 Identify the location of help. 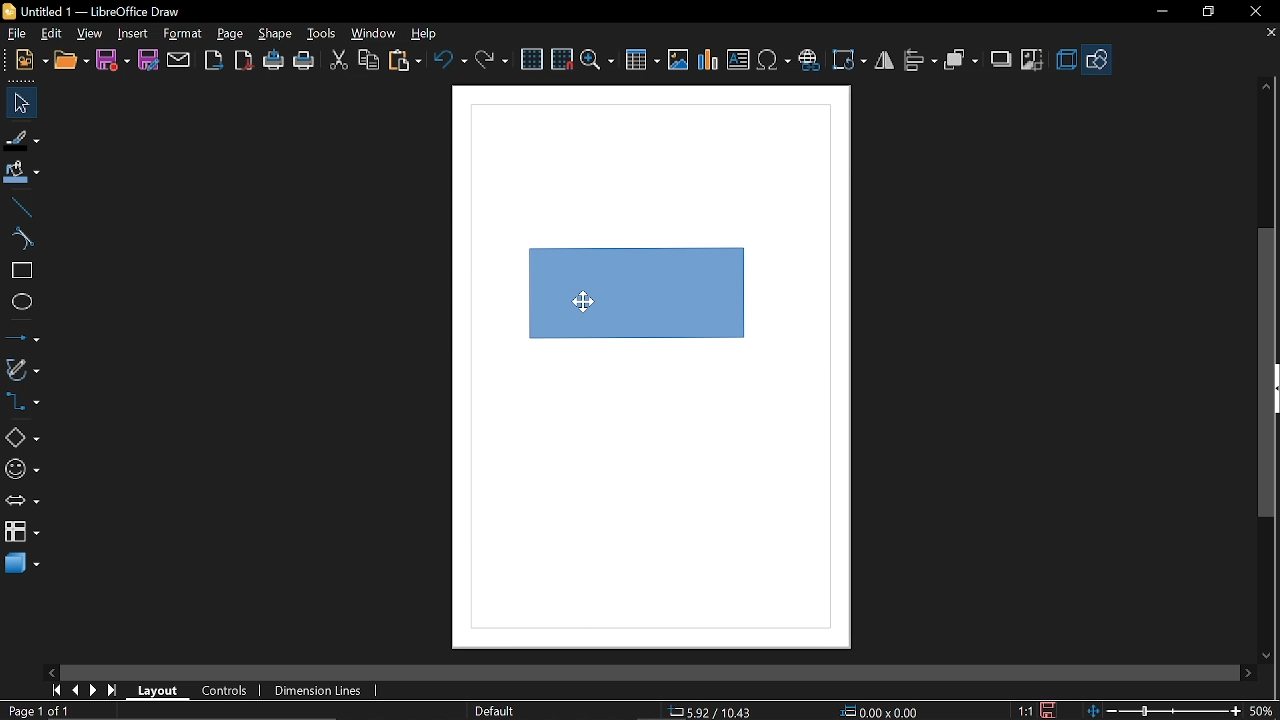
(424, 35).